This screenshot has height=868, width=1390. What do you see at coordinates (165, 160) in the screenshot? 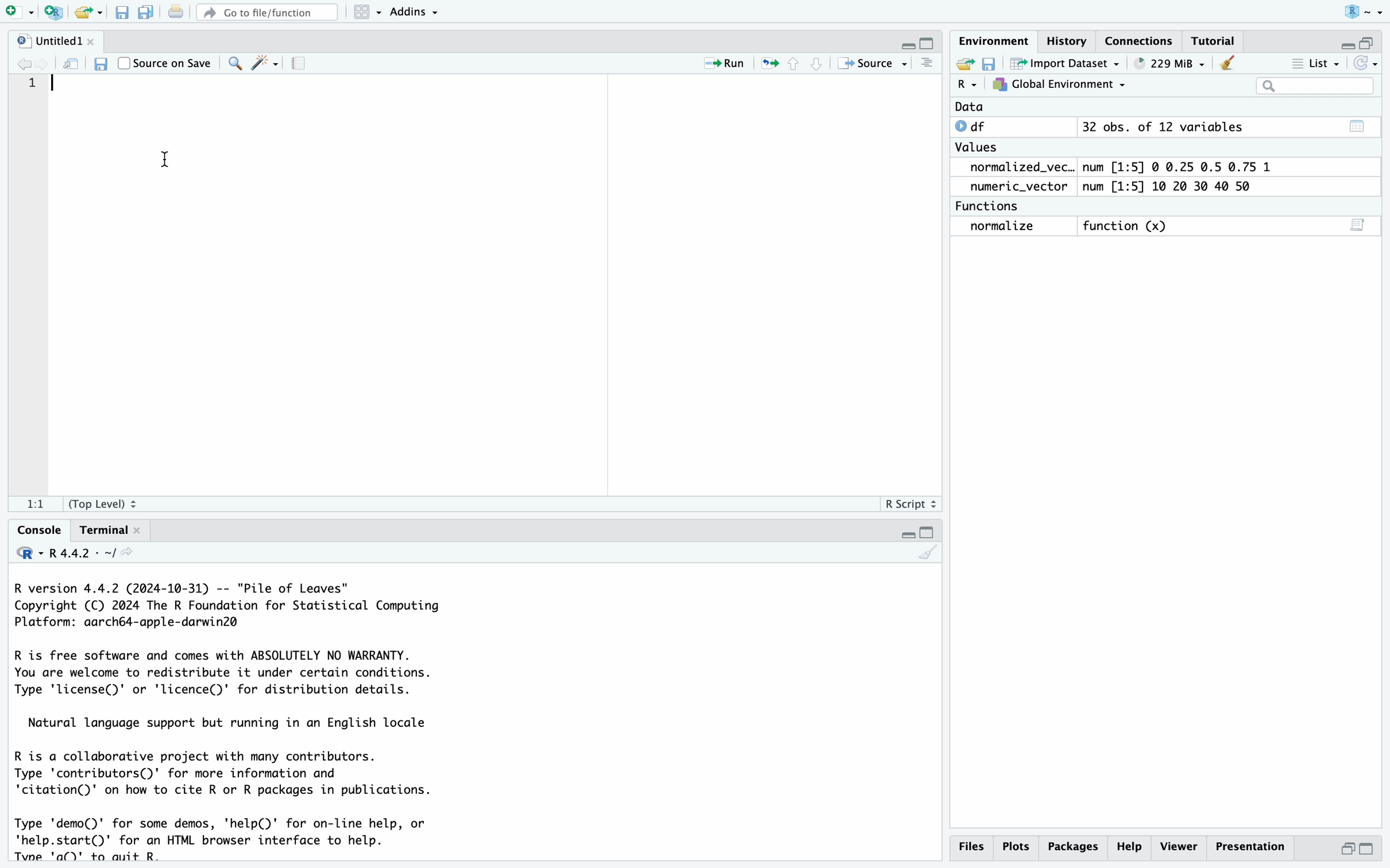
I see `cursor` at bounding box center [165, 160].